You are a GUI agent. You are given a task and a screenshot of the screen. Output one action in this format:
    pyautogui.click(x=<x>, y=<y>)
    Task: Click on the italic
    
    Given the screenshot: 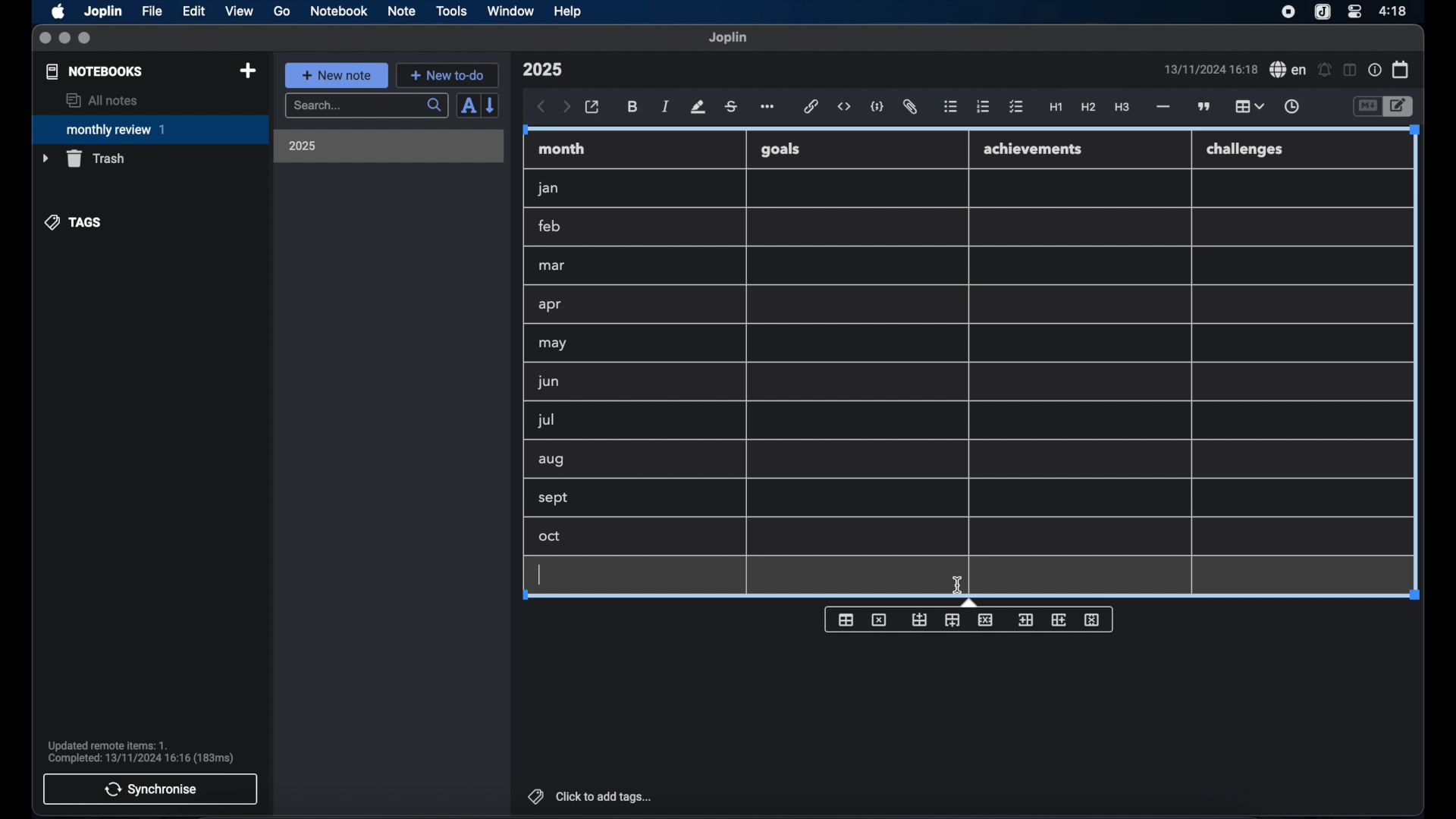 What is the action you would take?
    pyautogui.click(x=666, y=106)
    